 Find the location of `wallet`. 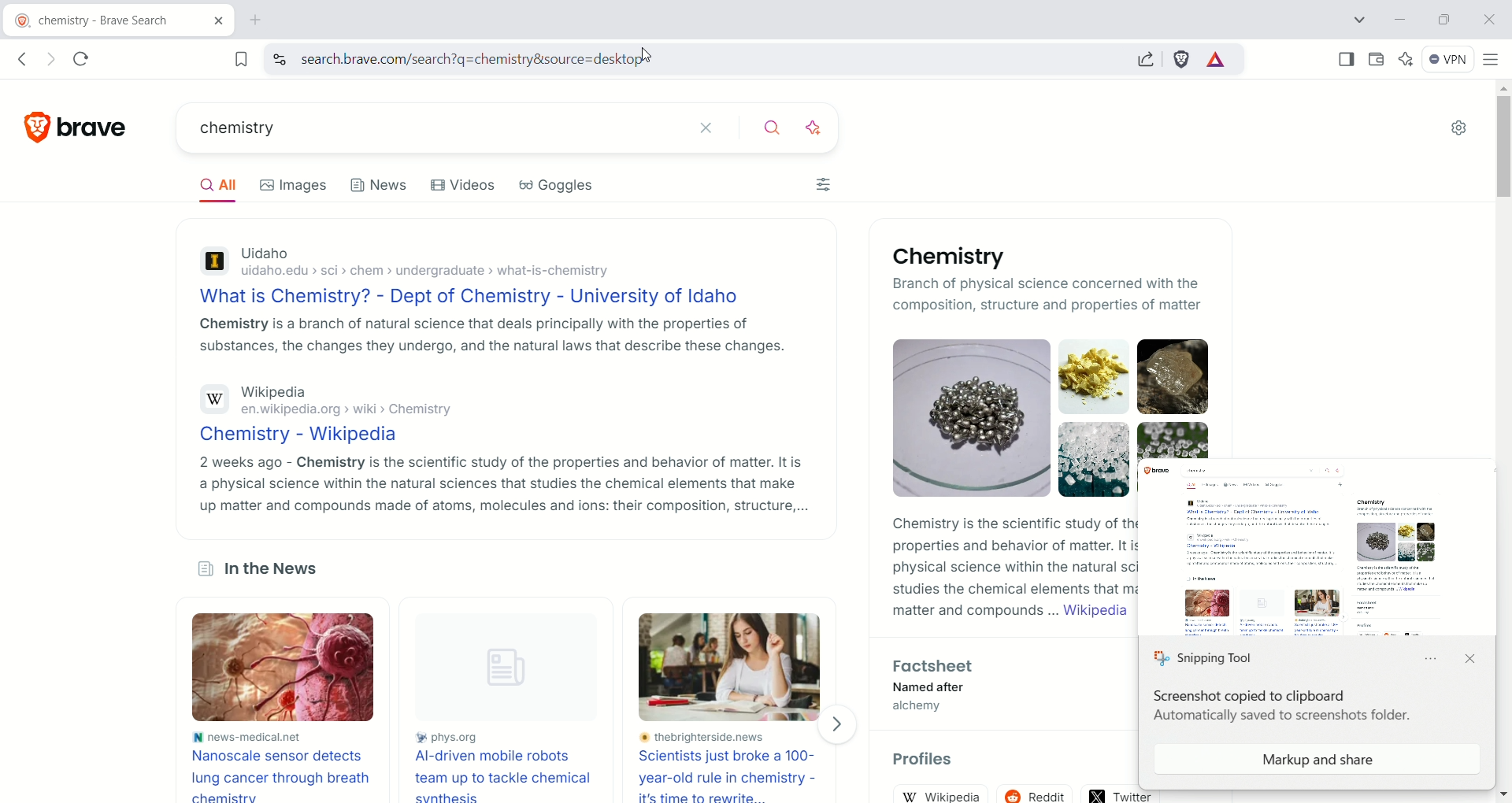

wallet is located at coordinates (1373, 57).